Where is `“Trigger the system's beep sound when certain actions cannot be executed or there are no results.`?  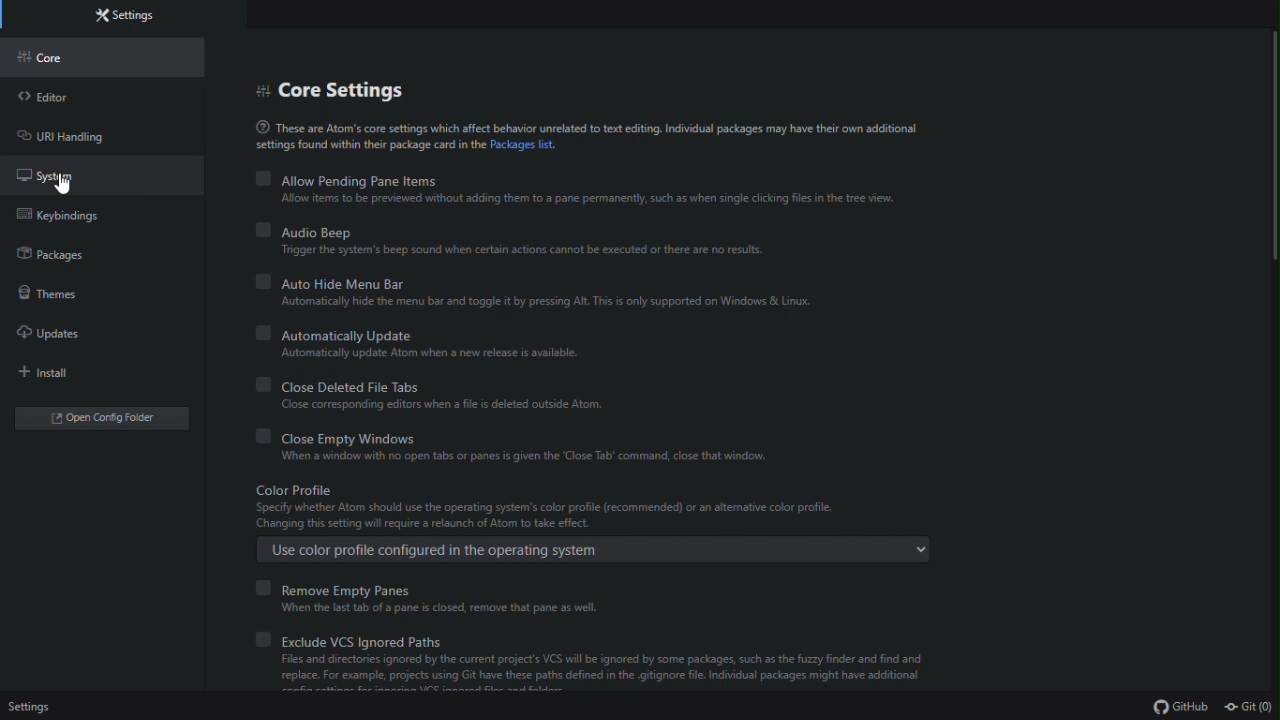 “Trigger the system's beep sound when certain actions cannot be executed or there are no results. is located at coordinates (536, 249).